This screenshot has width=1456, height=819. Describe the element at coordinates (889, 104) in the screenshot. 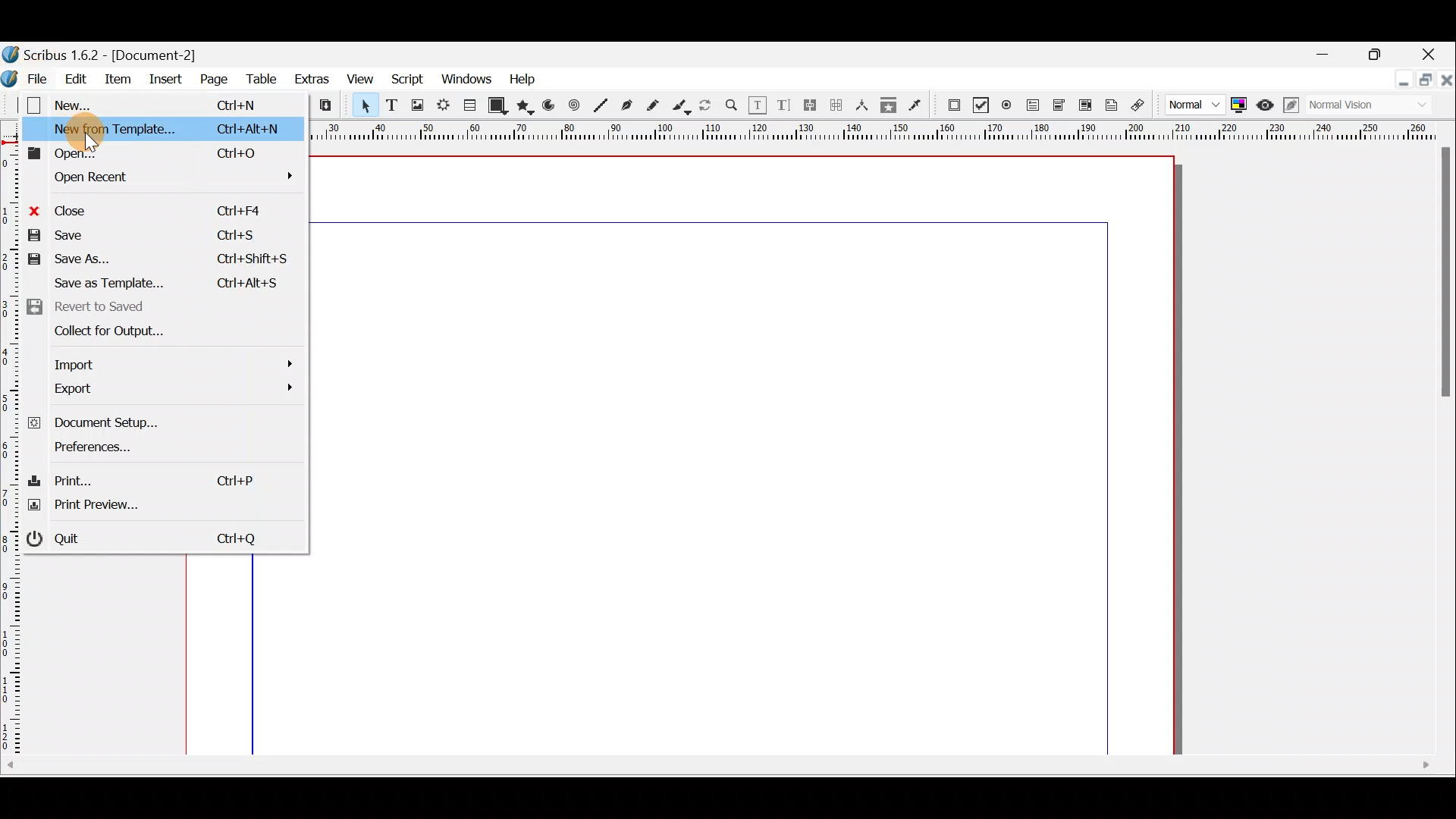

I see `Copy item properties` at that location.